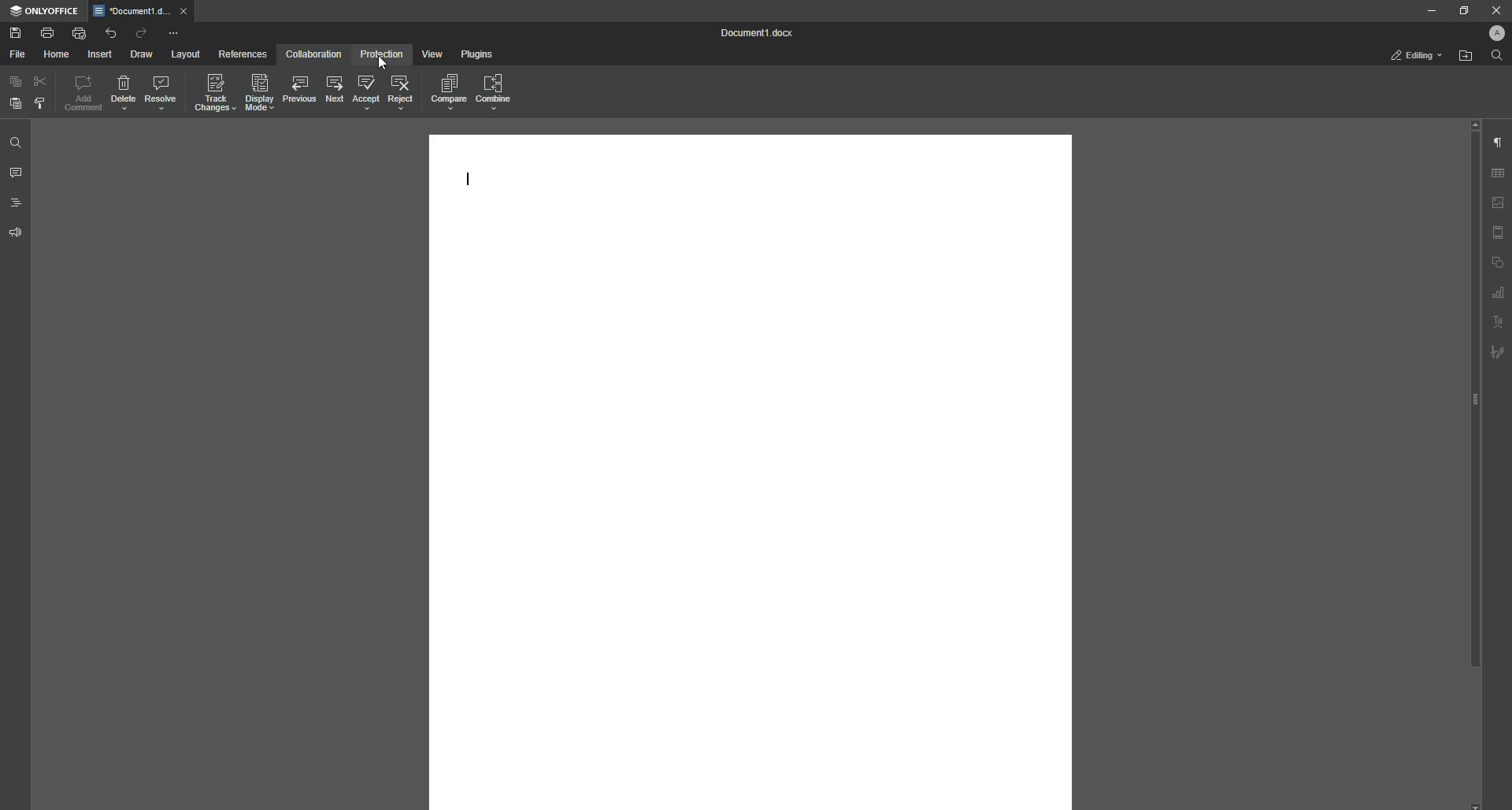  I want to click on Shape settings, so click(1499, 263).